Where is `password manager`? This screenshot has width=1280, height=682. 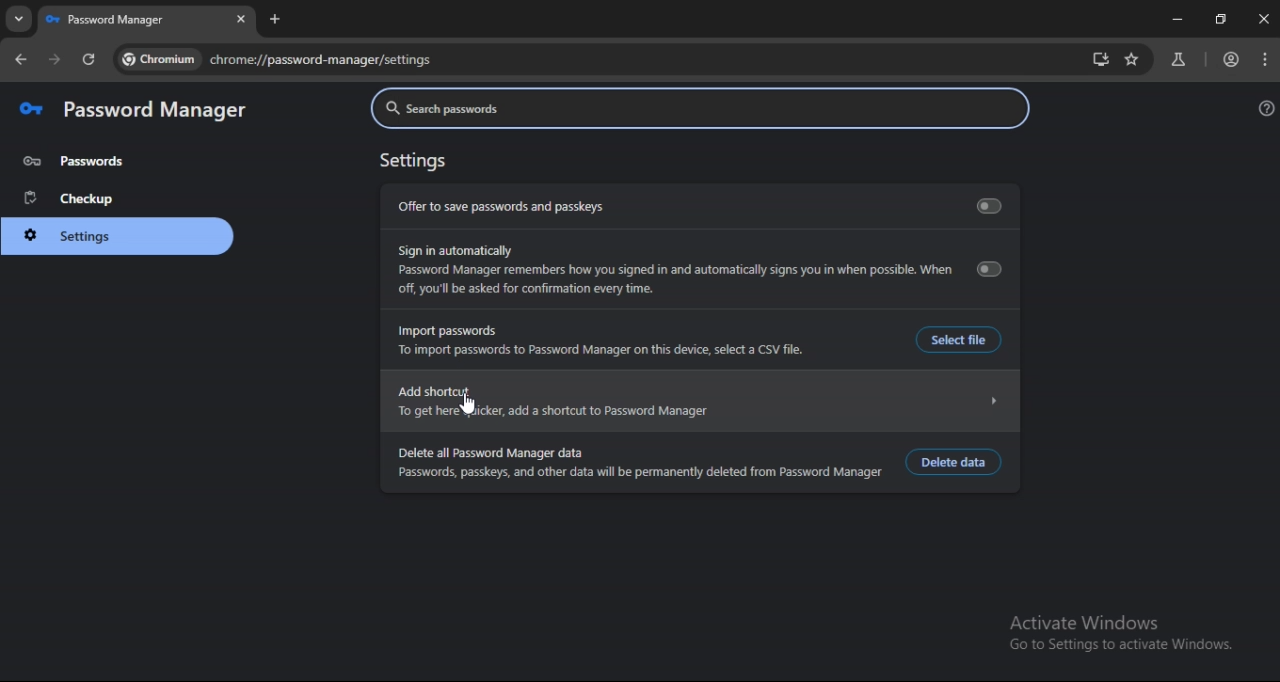
password manager is located at coordinates (134, 110).